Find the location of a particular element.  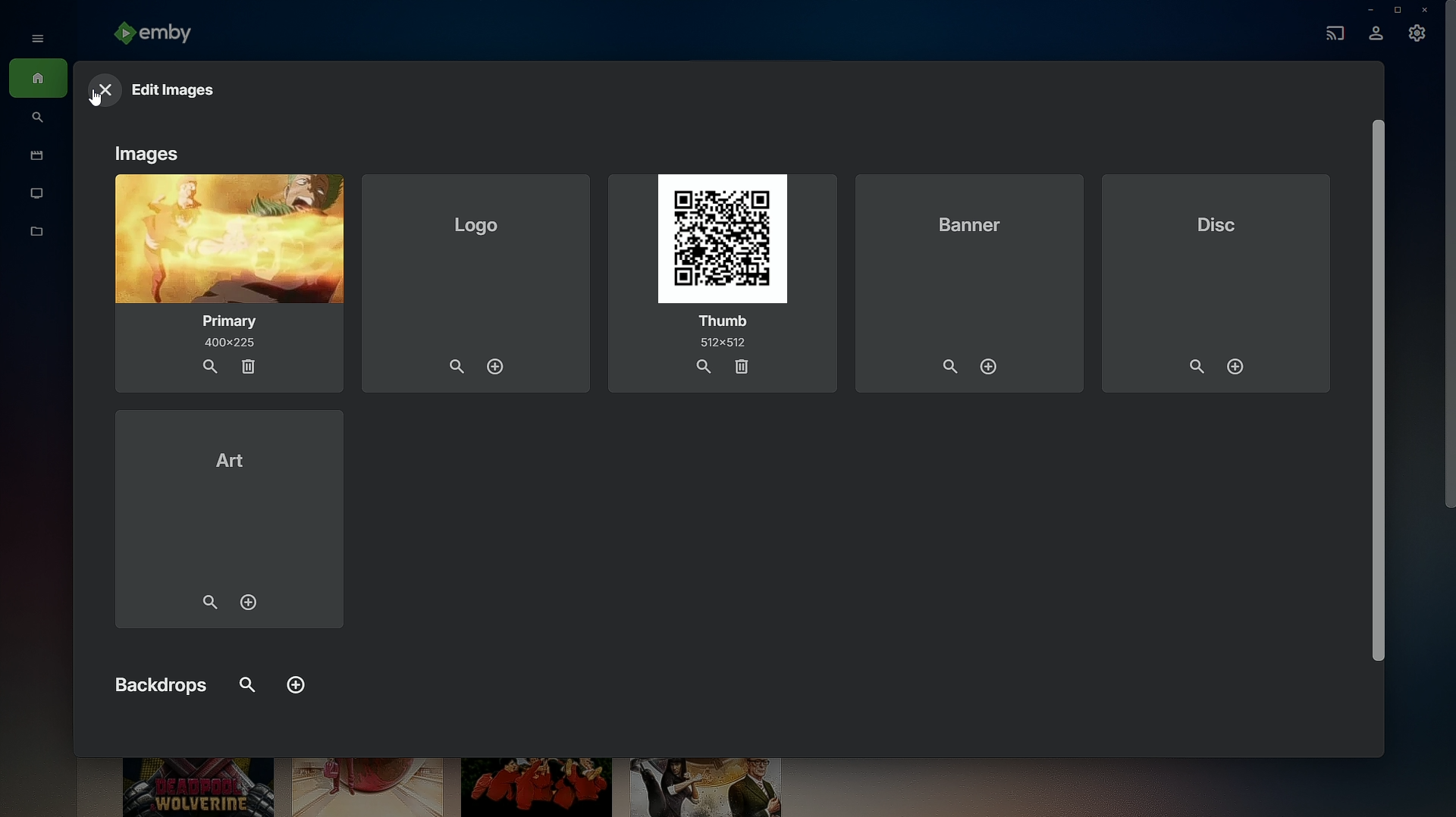

Add is located at coordinates (296, 687).